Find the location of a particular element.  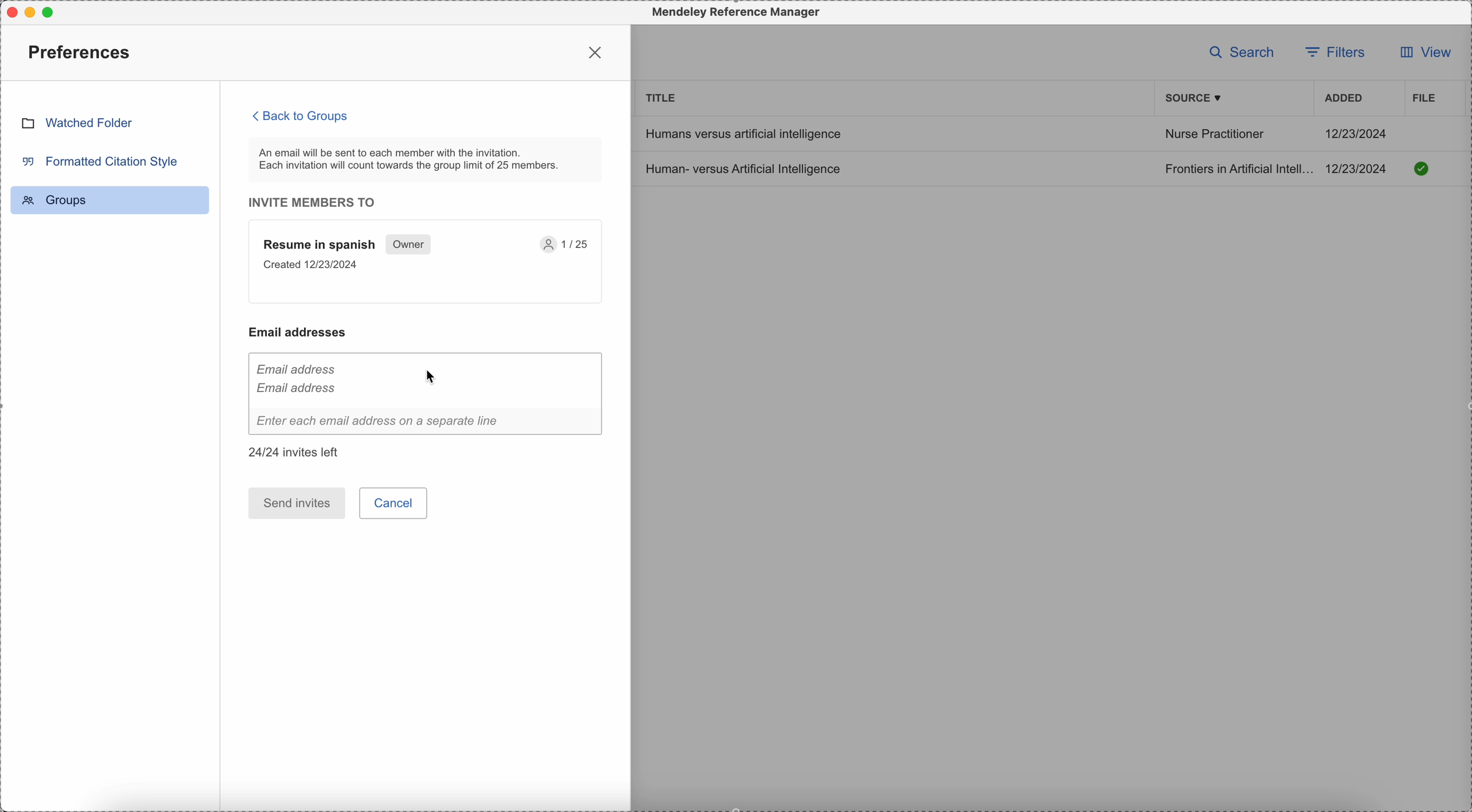

view is located at coordinates (1421, 55).